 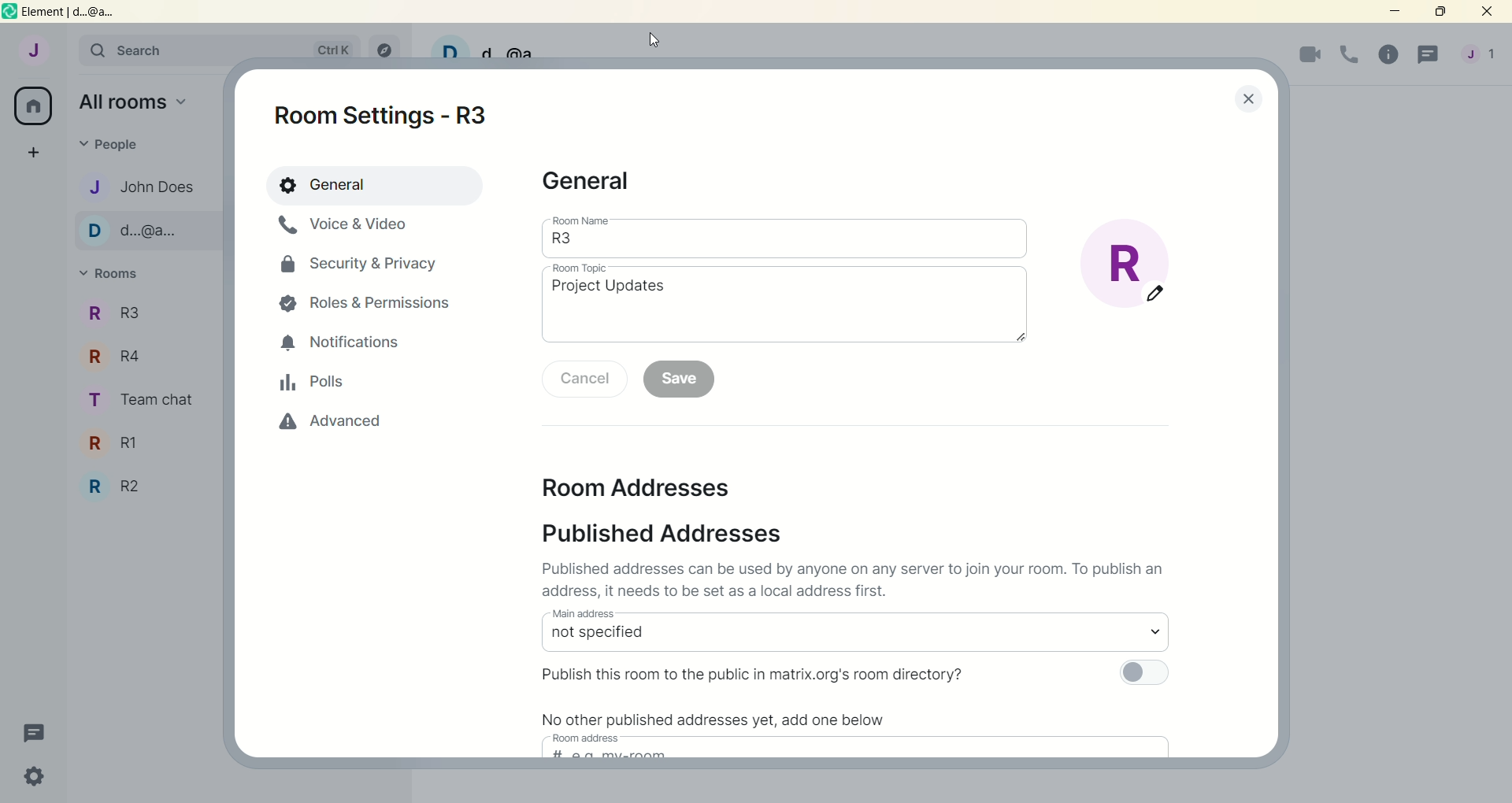 I want to click on voice call, so click(x=1350, y=54).